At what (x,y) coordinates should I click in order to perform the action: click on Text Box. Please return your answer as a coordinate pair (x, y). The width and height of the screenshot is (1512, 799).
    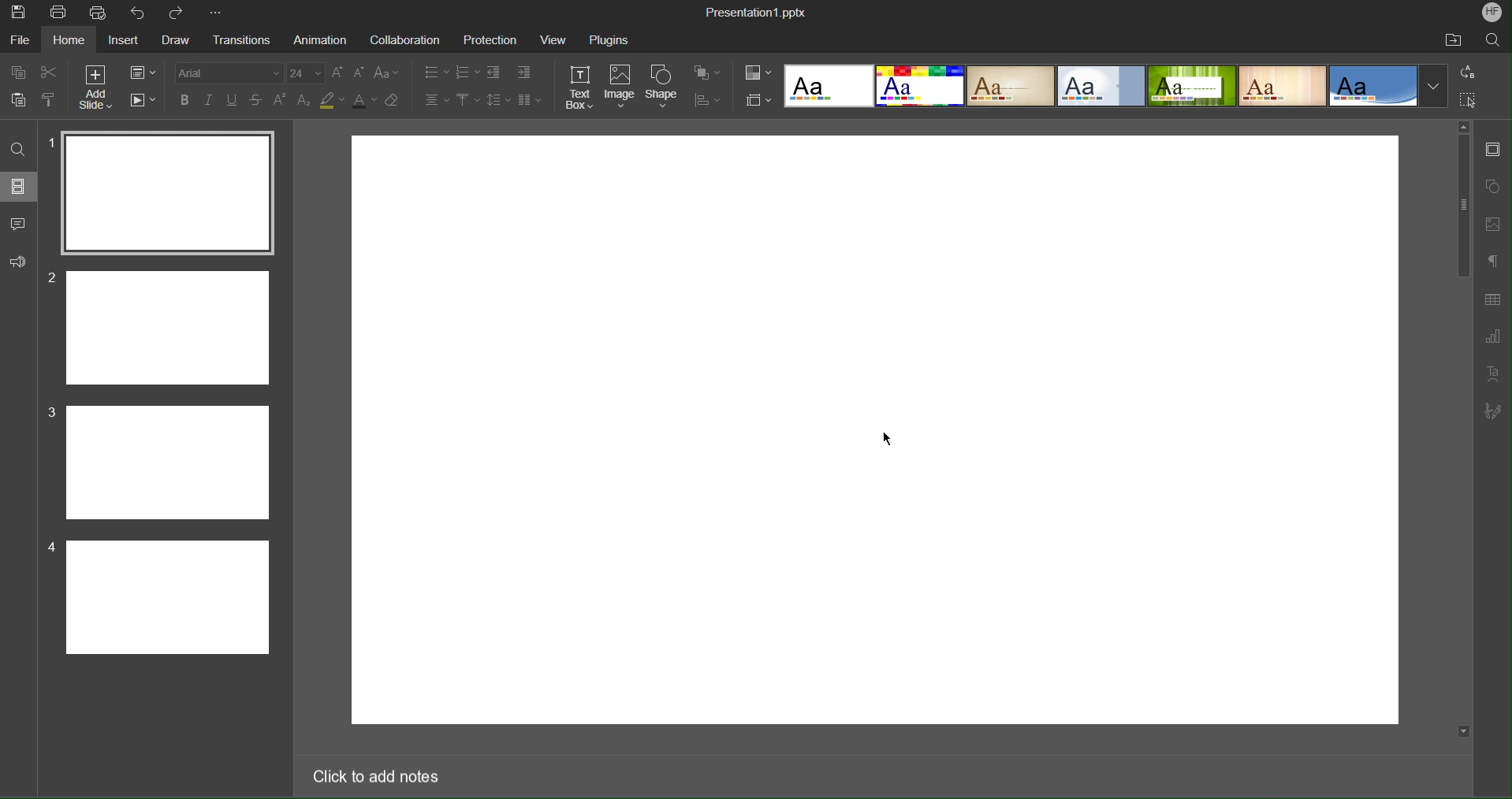
    Looking at the image, I should click on (581, 88).